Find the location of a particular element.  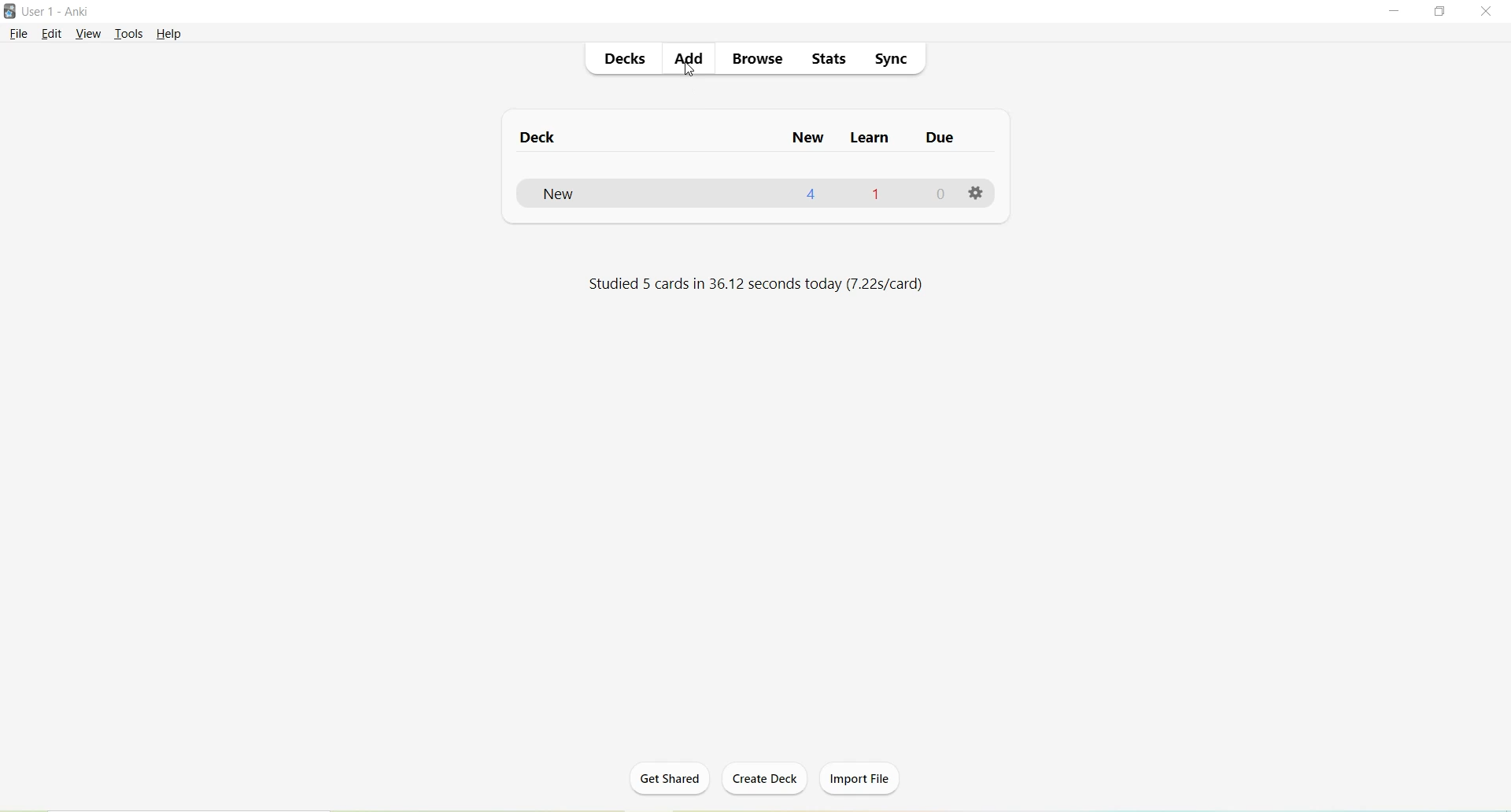

Get Shared is located at coordinates (670, 784).